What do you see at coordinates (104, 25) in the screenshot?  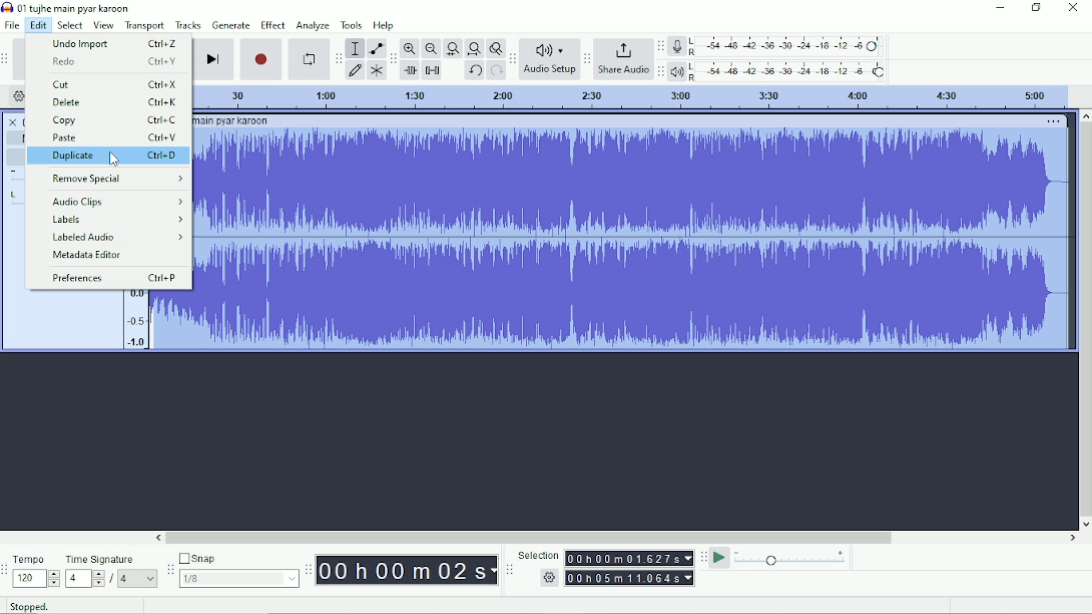 I see `View` at bounding box center [104, 25].